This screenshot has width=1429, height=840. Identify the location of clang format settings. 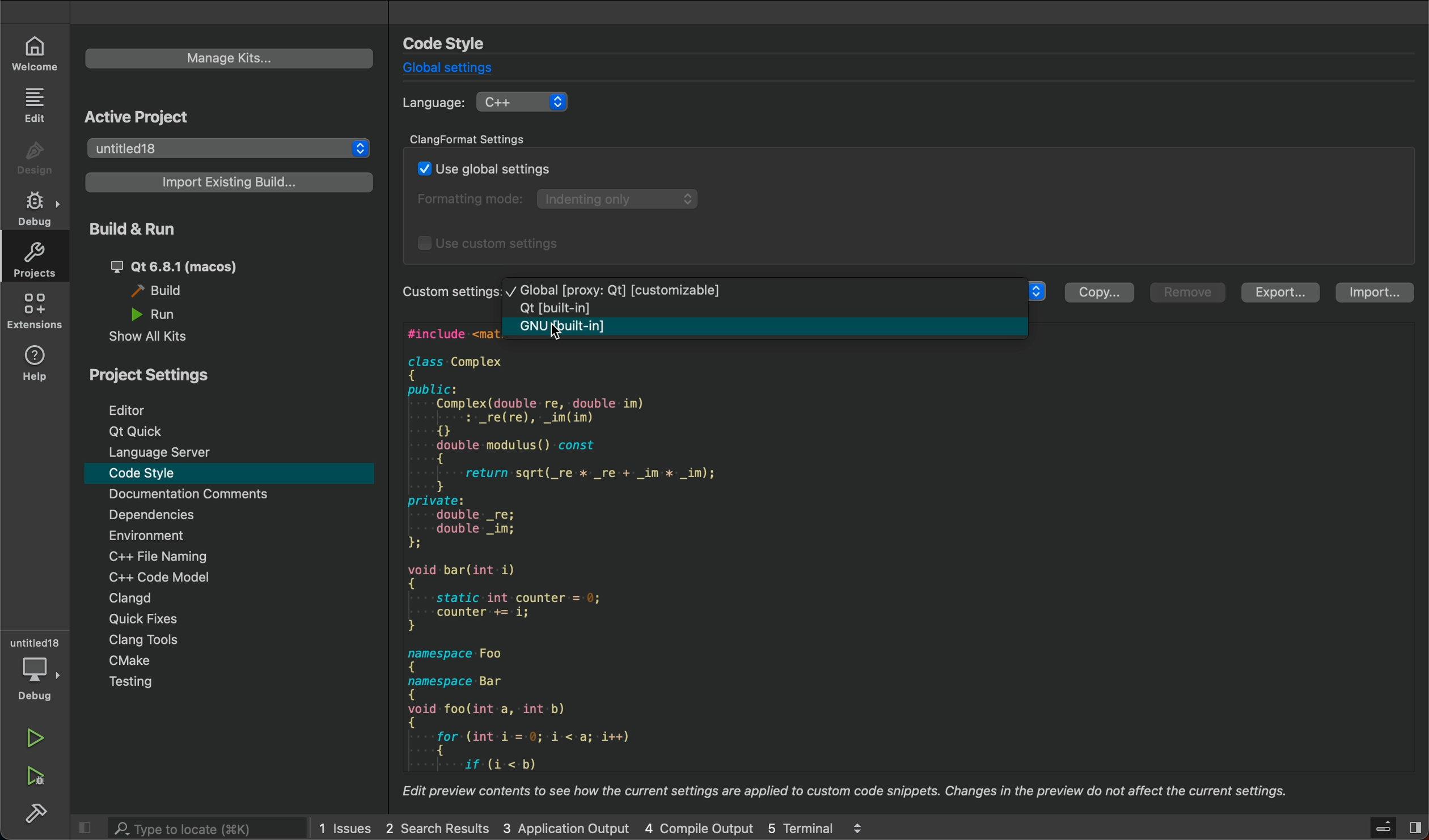
(480, 139).